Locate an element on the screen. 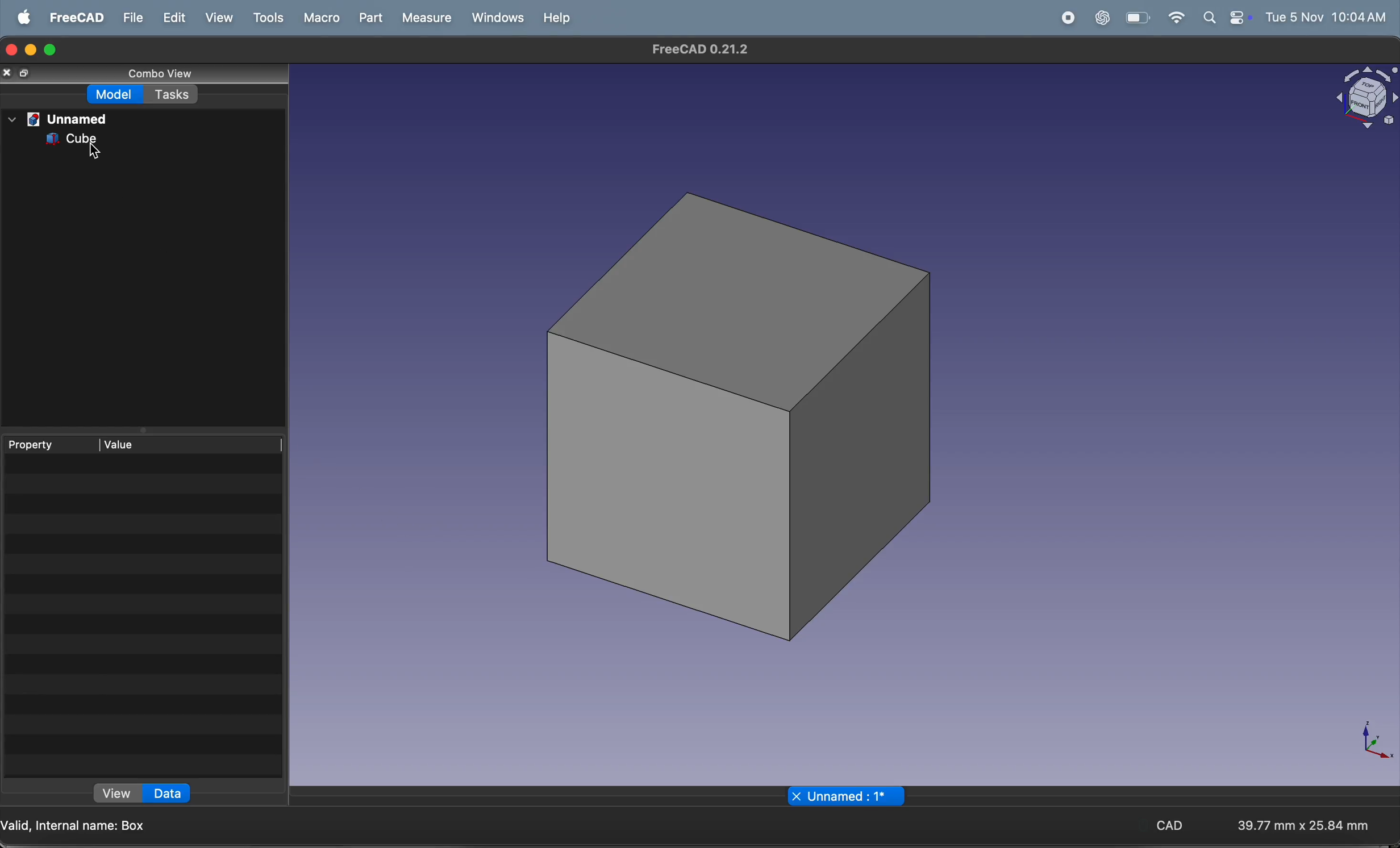  tools is located at coordinates (263, 18).